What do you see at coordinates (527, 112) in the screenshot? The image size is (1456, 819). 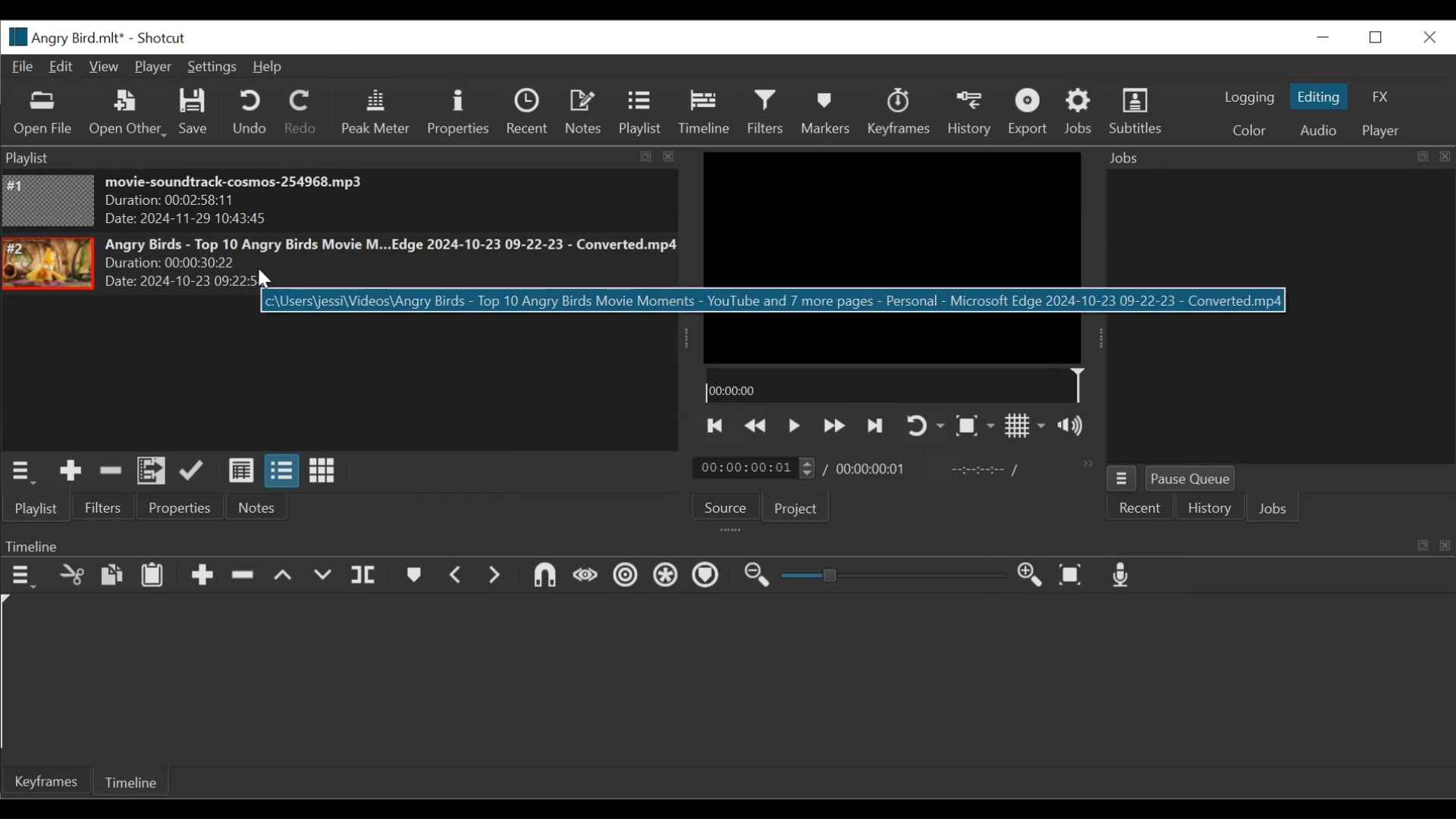 I see `Recent` at bounding box center [527, 112].